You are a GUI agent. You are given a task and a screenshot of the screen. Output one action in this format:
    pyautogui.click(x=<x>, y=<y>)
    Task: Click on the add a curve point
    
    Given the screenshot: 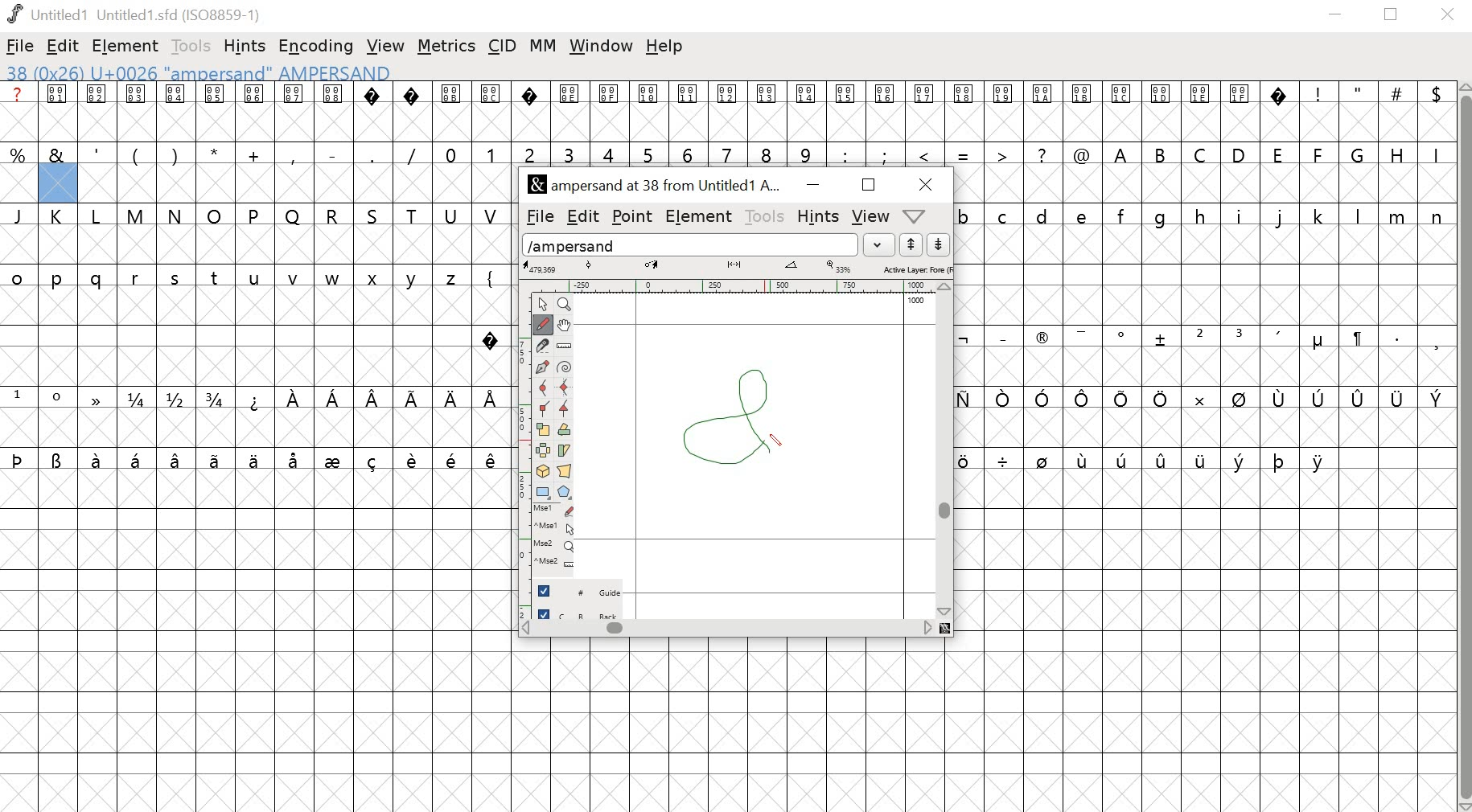 What is the action you would take?
    pyautogui.click(x=543, y=389)
    